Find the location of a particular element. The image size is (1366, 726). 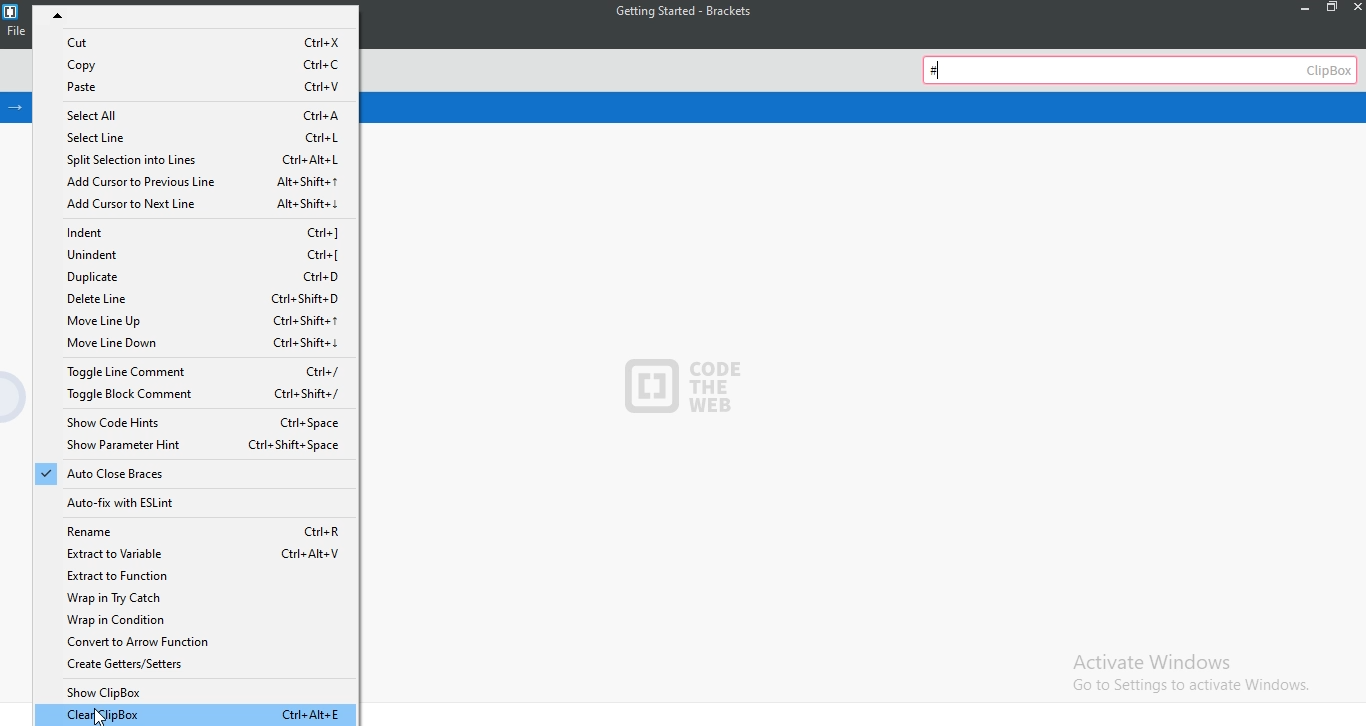

Auto Close Braces is located at coordinates (193, 476).